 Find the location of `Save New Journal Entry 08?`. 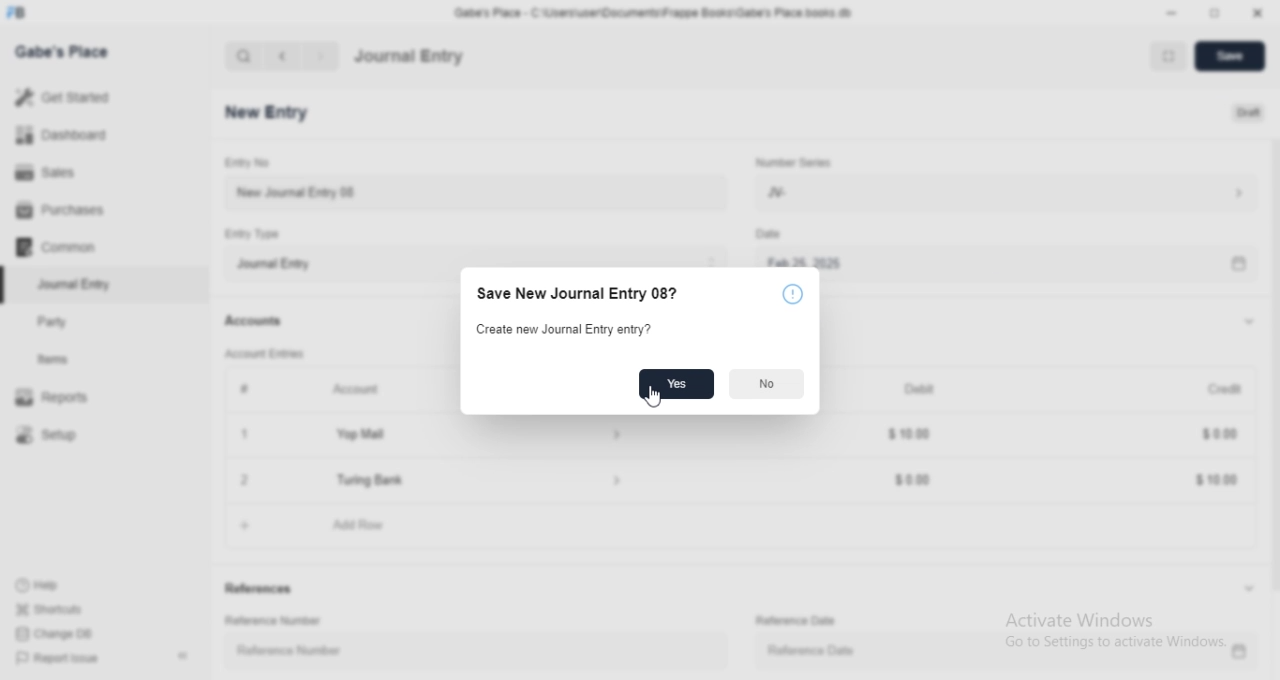

Save New Journal Entry 08? is located at coordinates (584, 295).